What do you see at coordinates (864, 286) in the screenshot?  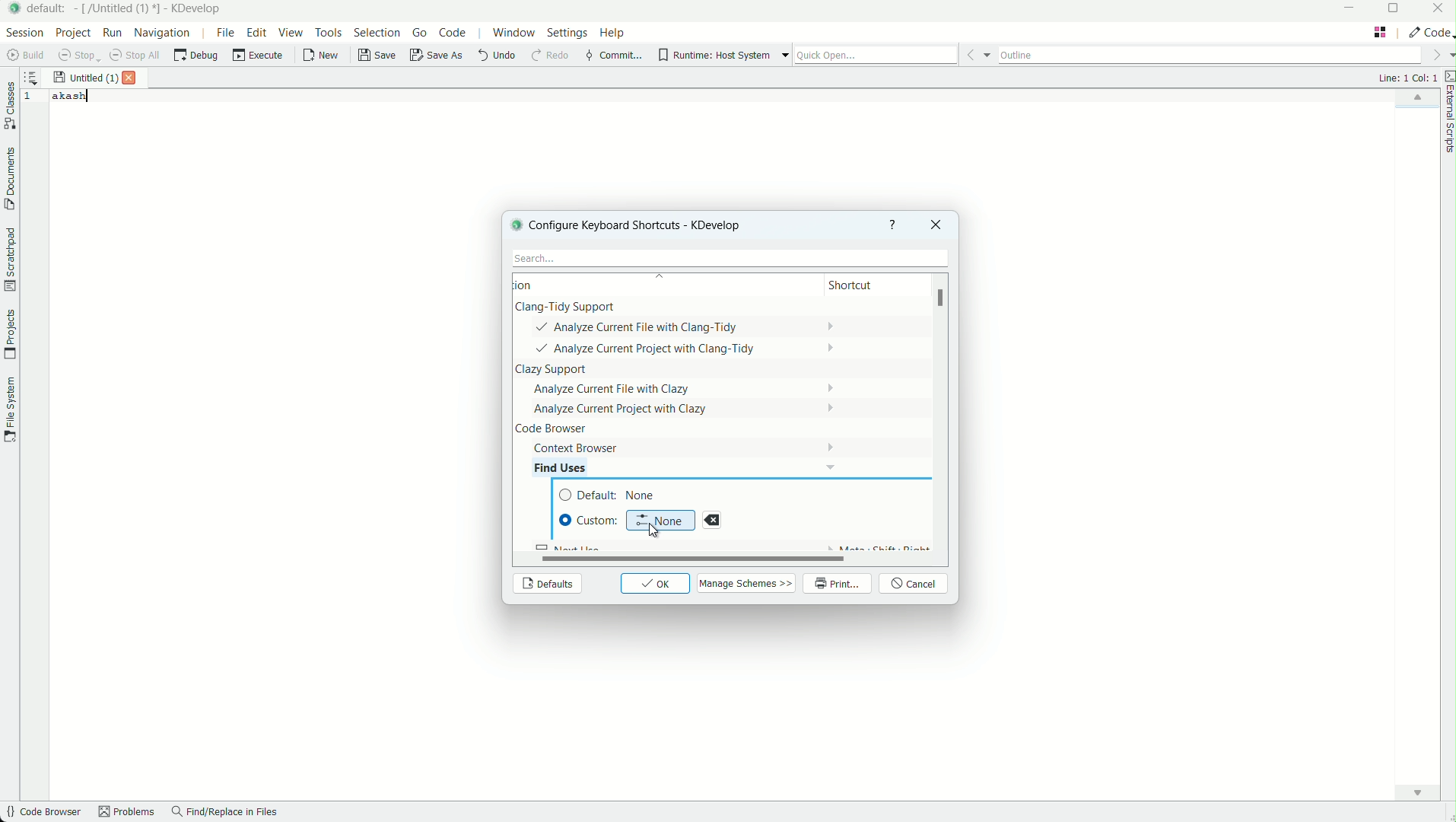 I see `shortcut` at bounding box center [864, 286].